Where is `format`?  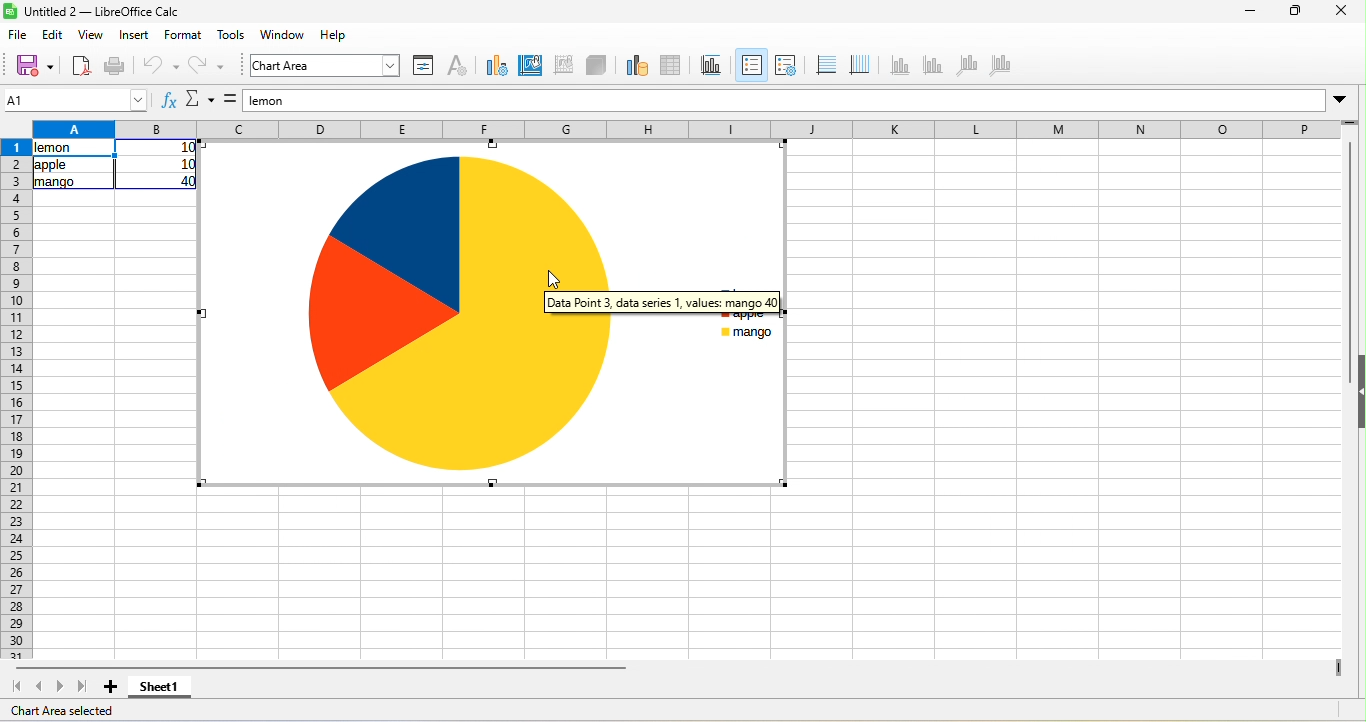 format is located at coordinates (182, 37).